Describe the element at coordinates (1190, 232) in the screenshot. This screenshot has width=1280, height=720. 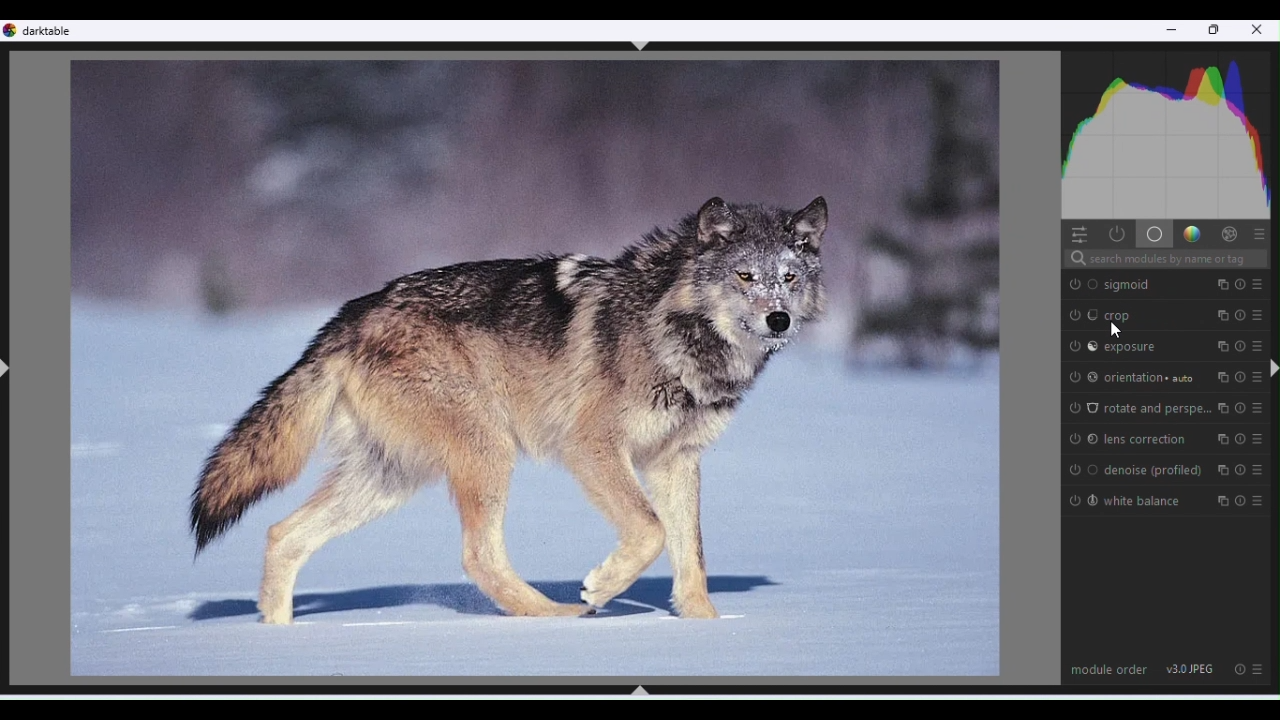
I see `Gradient` at that location.